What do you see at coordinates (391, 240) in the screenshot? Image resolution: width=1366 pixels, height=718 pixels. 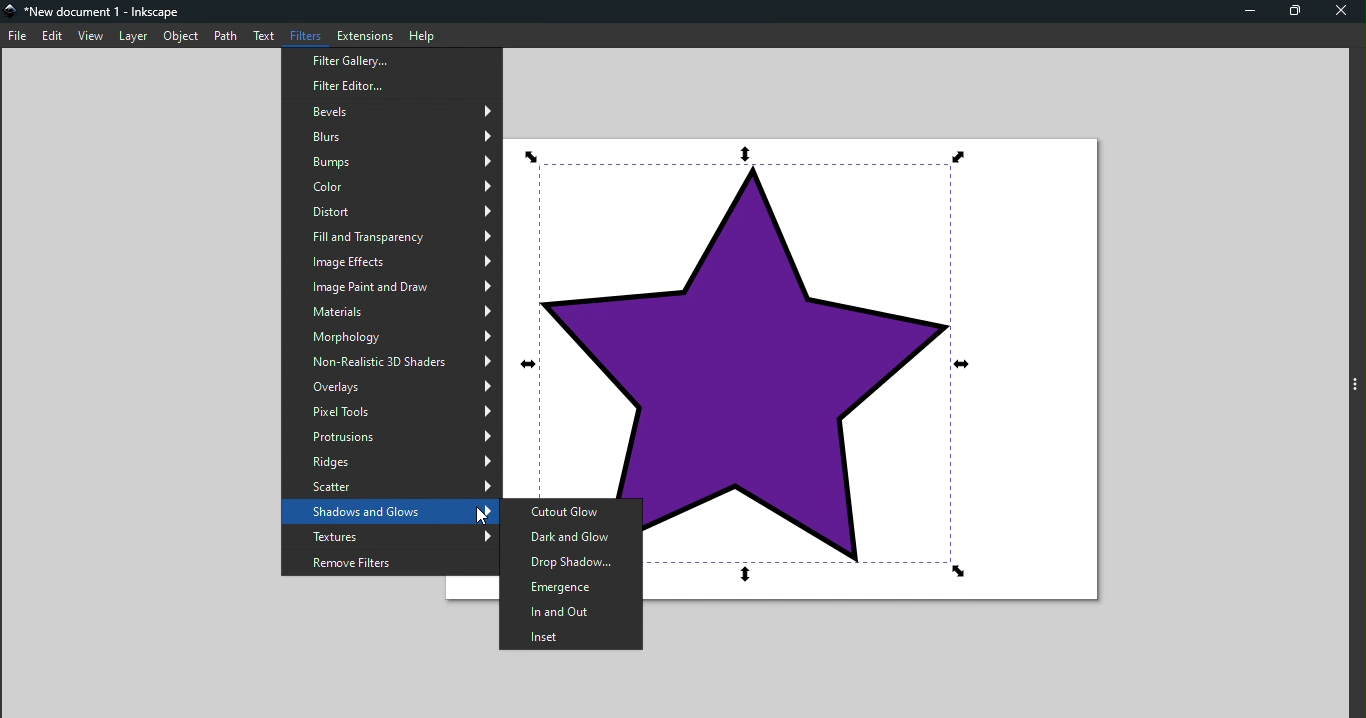 I see `Fill and transparency` at bounding box center [391, 240].